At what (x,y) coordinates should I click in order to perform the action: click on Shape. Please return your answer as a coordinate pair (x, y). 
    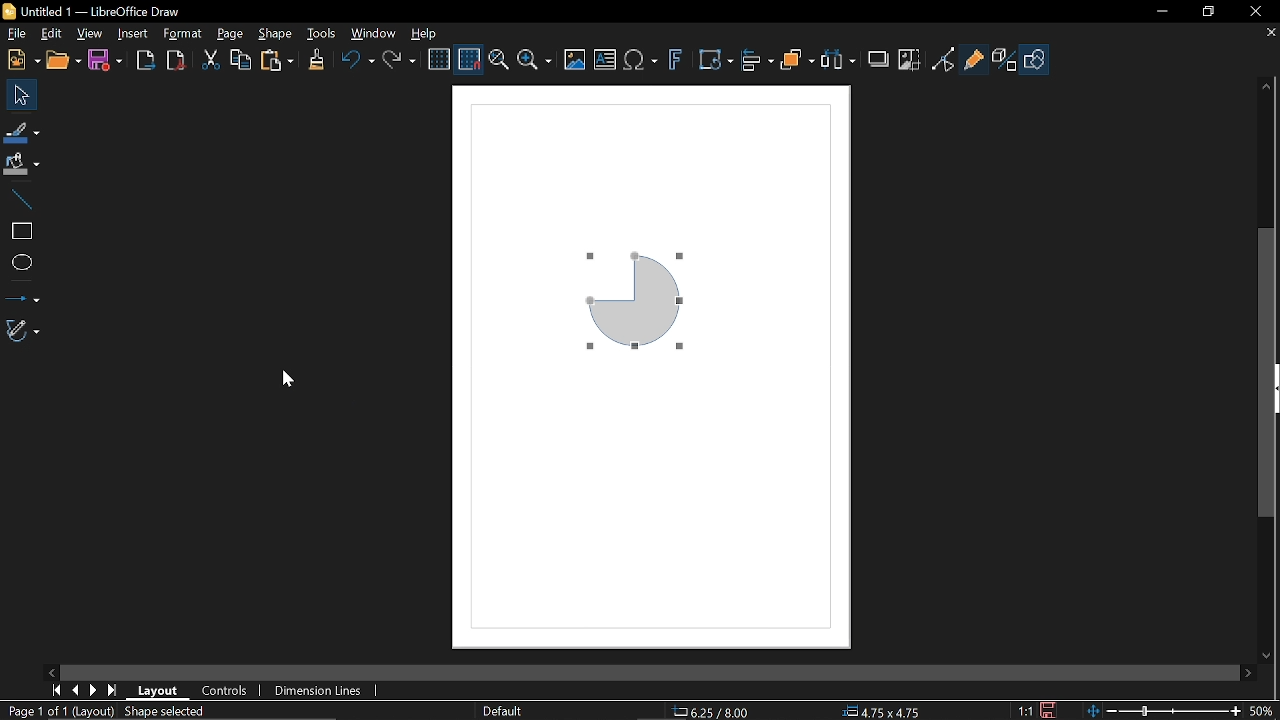
    Looking at the image, I should click on (278, 34).